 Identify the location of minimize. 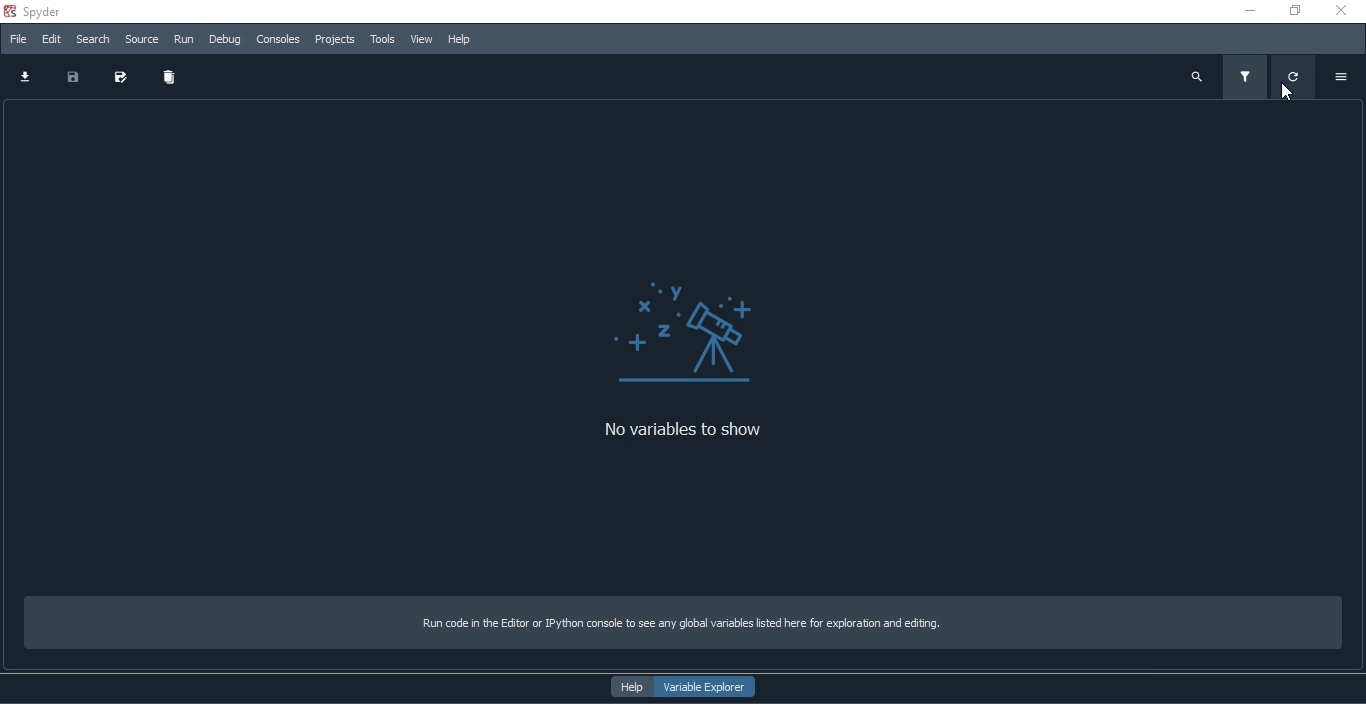
(1252, 12).